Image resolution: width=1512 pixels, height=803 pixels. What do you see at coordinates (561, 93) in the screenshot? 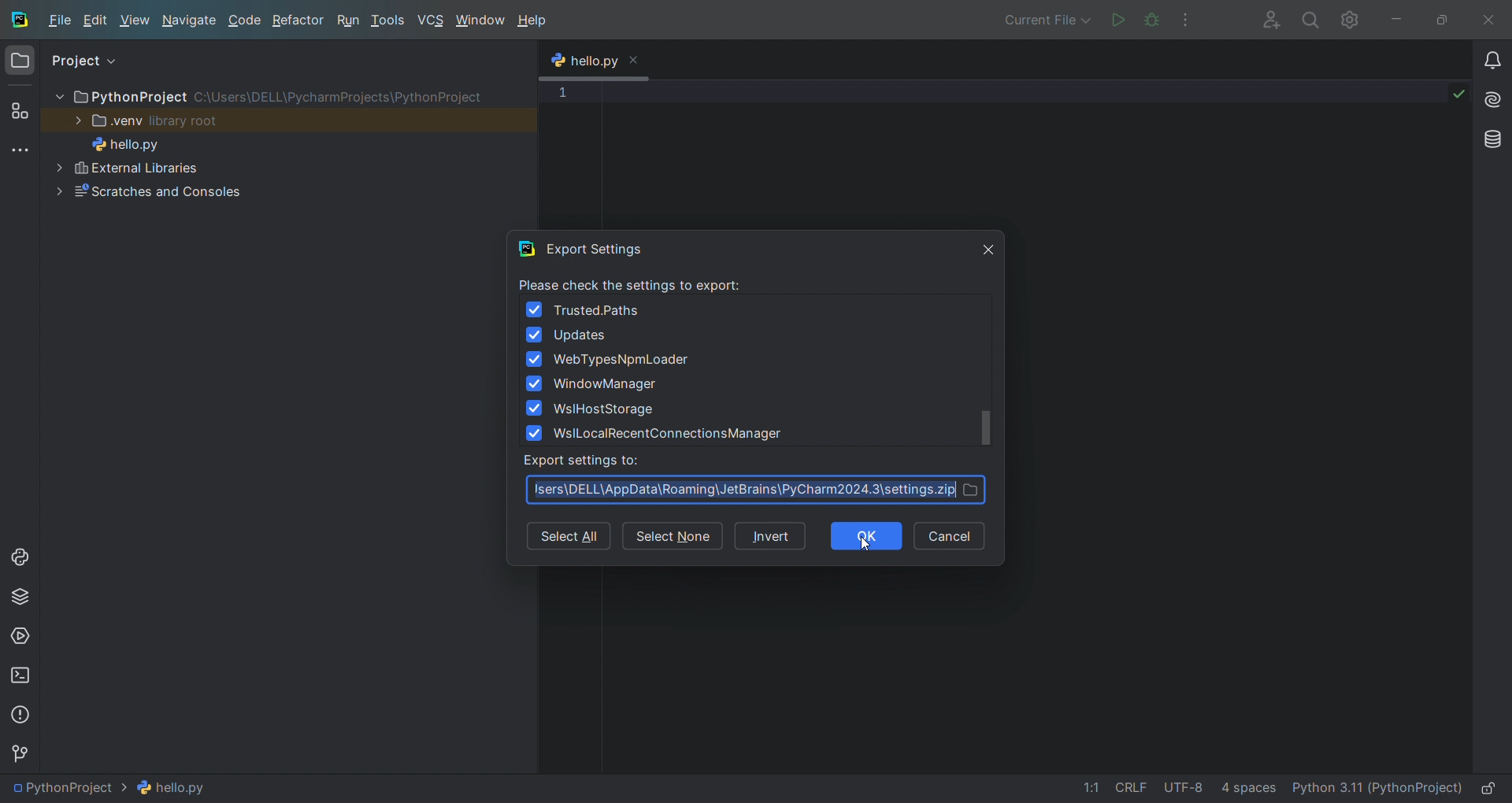
I see `1` at bounding box center [561, 93].